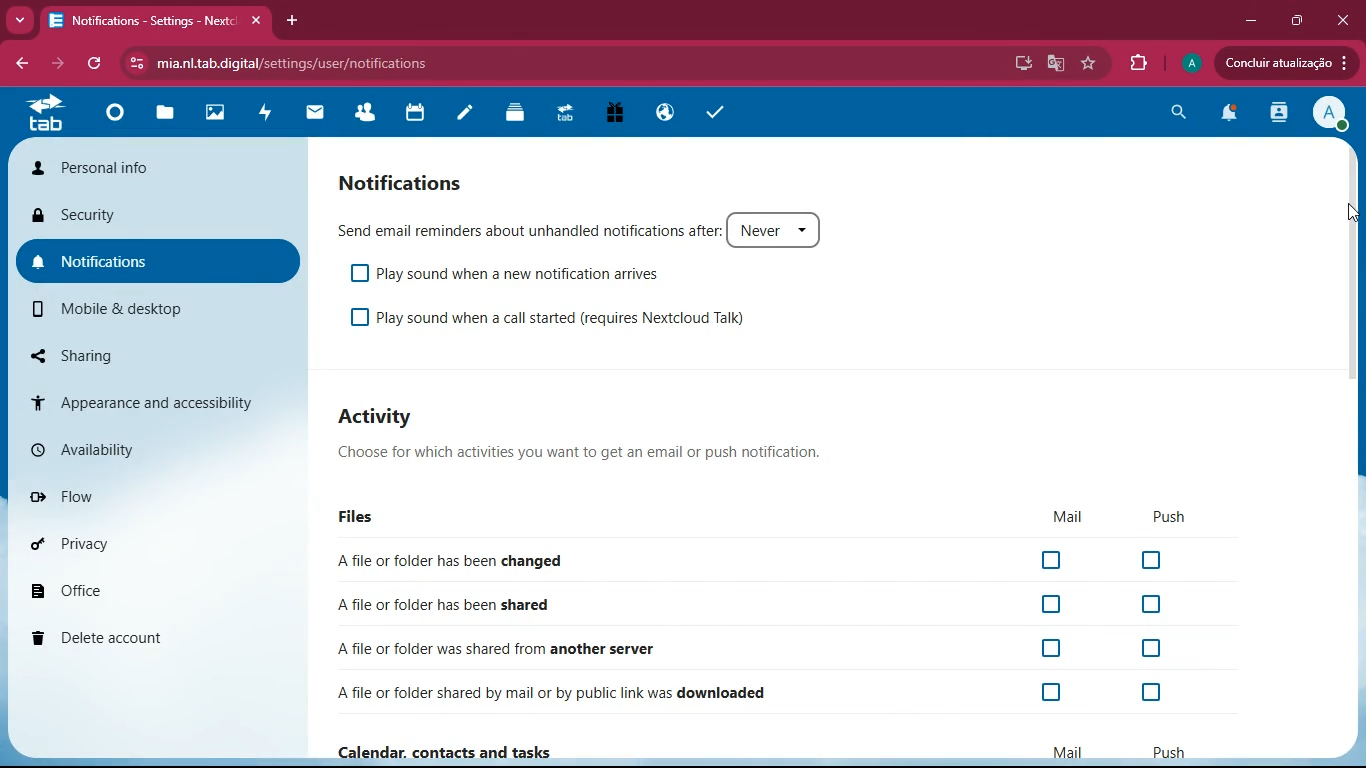 The height and width of the screenshot is (768, 1366). What do you see at coordinates (1299, 20) in the screenshot?
I see `maximize` at bounding box center [1299, 20].